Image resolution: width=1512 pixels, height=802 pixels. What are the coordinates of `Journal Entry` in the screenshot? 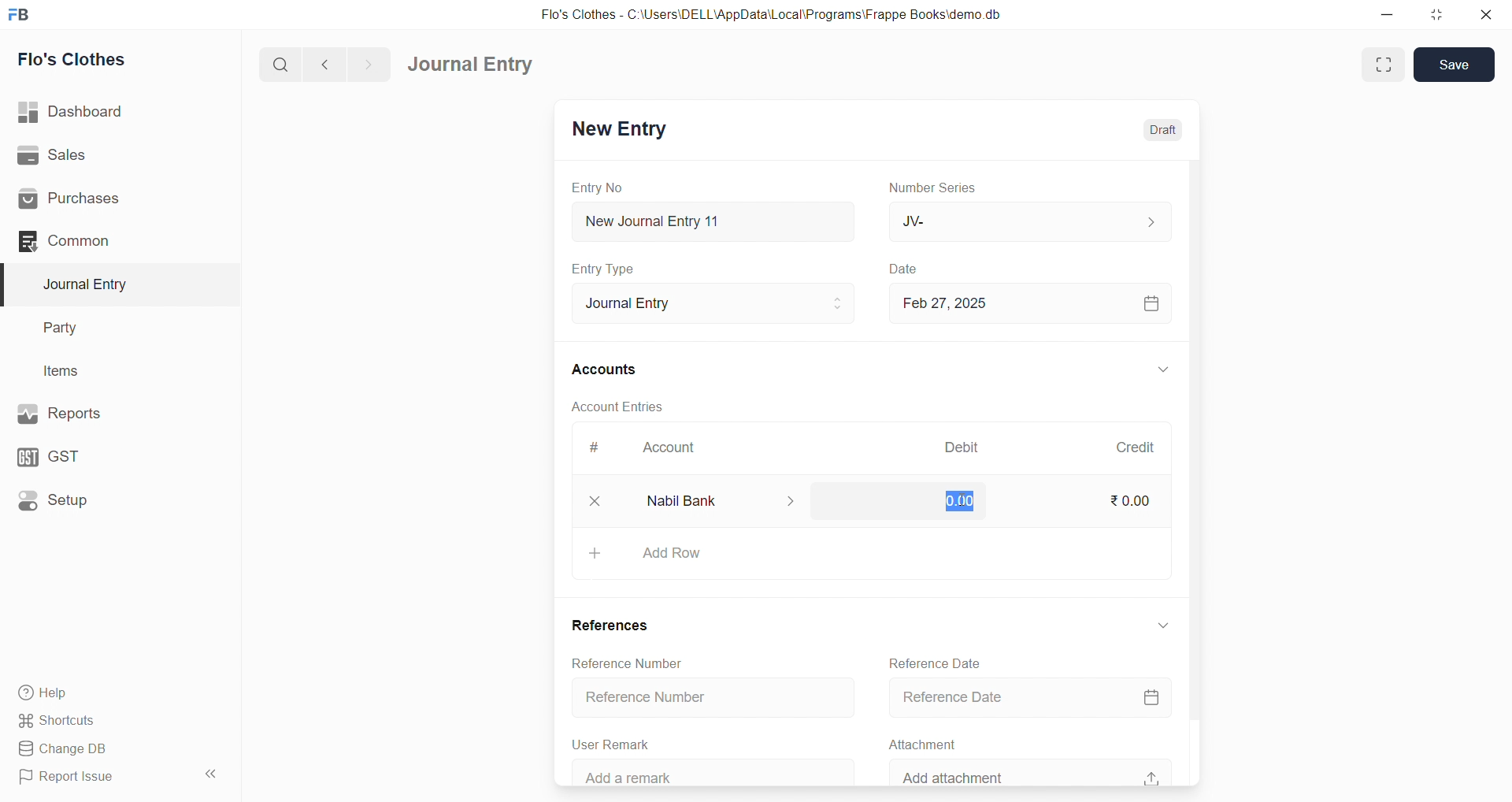 It's located at (471, 64).